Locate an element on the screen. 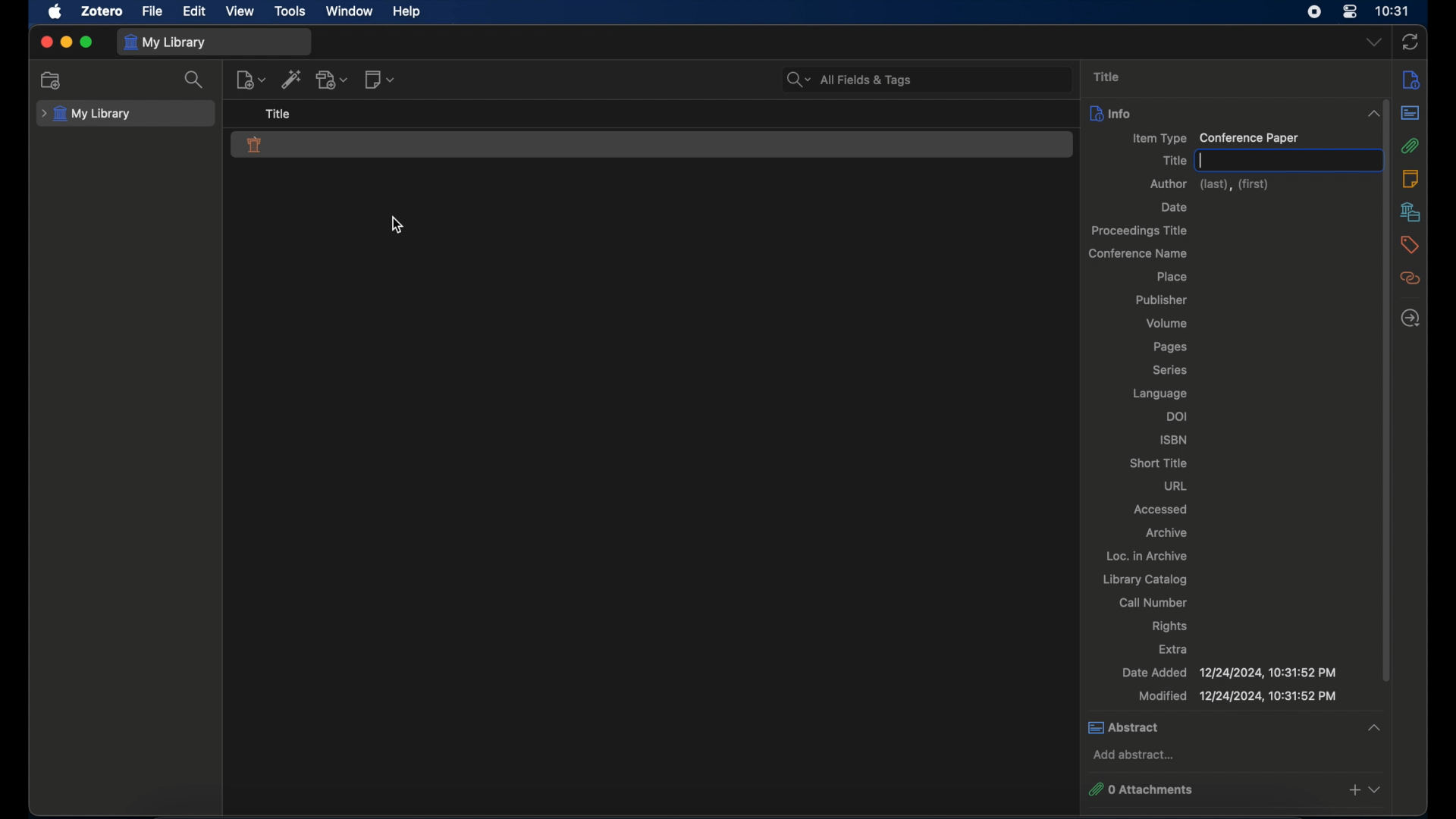 Image resolution: width=1456 pixels, height=819 pixels. new item is located at coordinates (251, 79).